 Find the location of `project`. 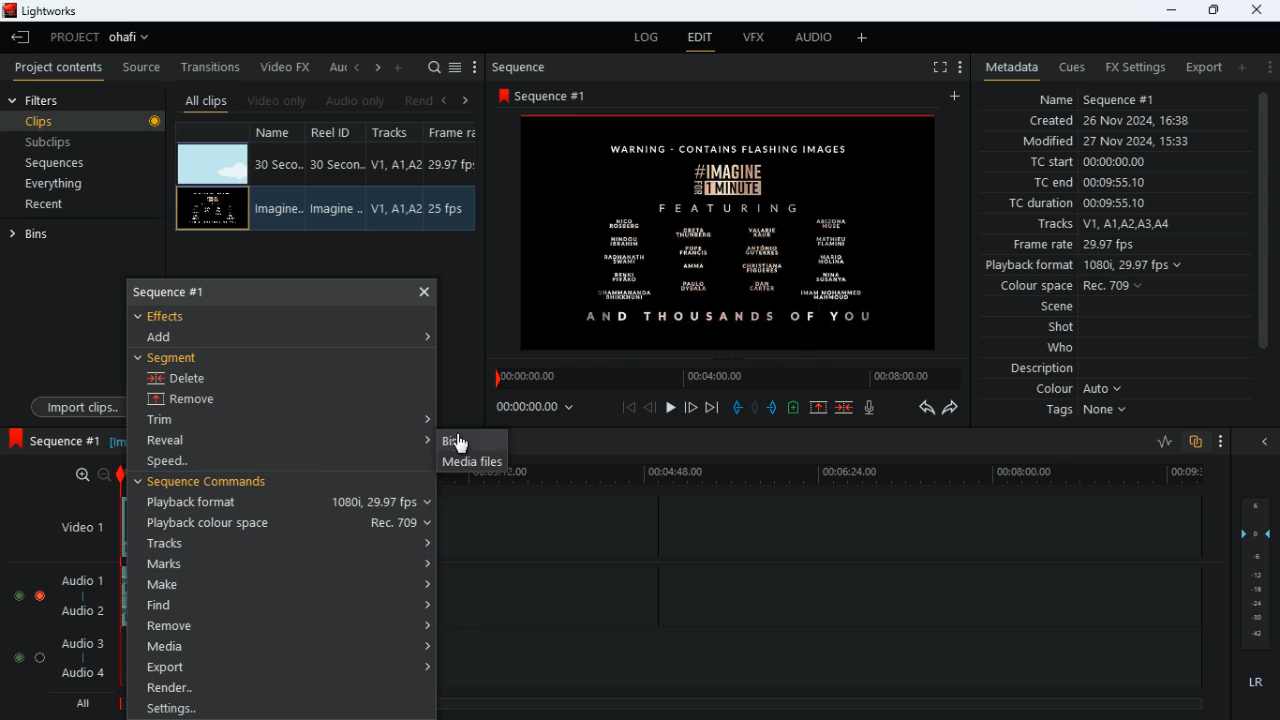

project is located at coordinates (106, 37).